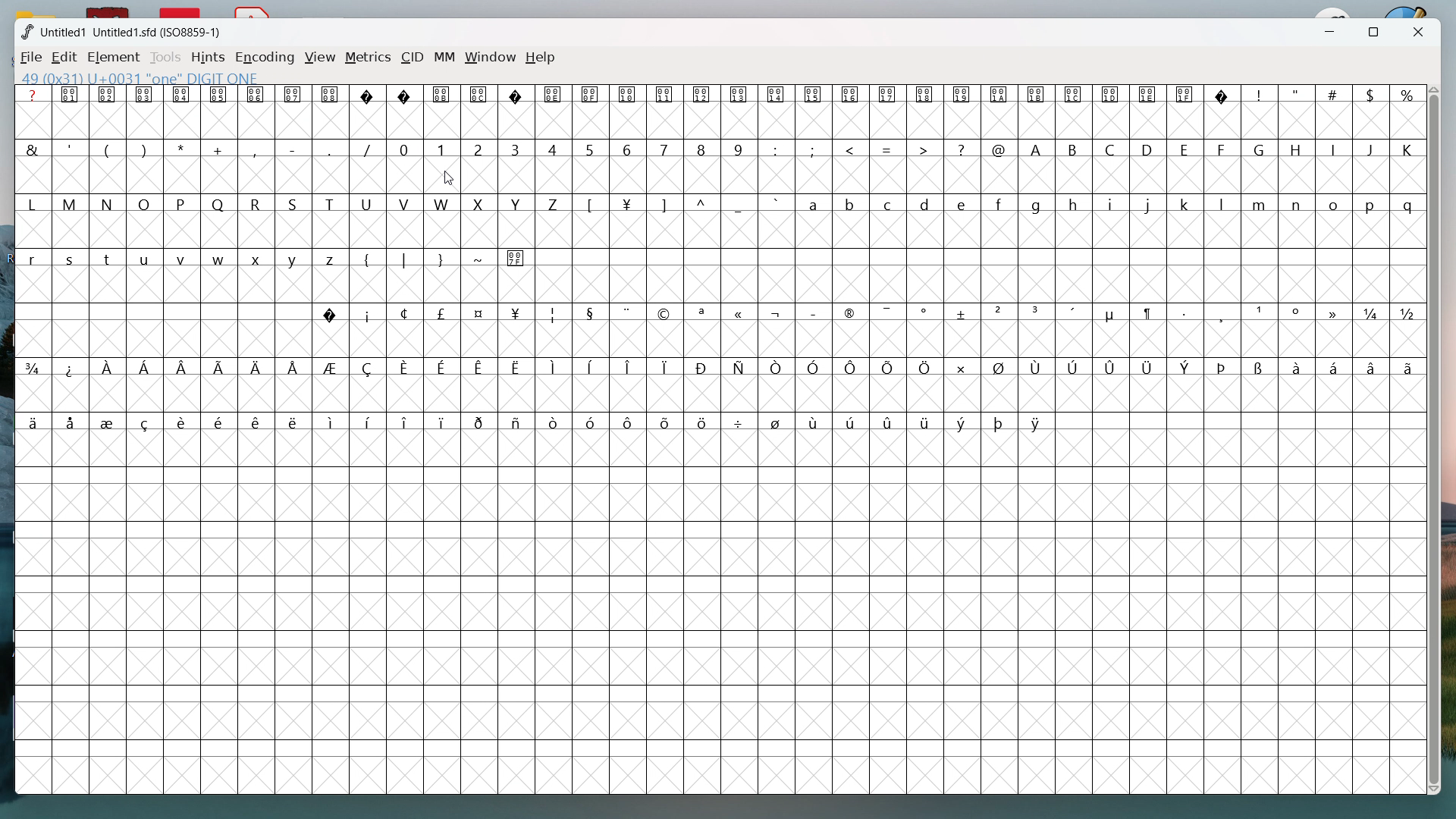  I want to click on h, so click(1077, 202).